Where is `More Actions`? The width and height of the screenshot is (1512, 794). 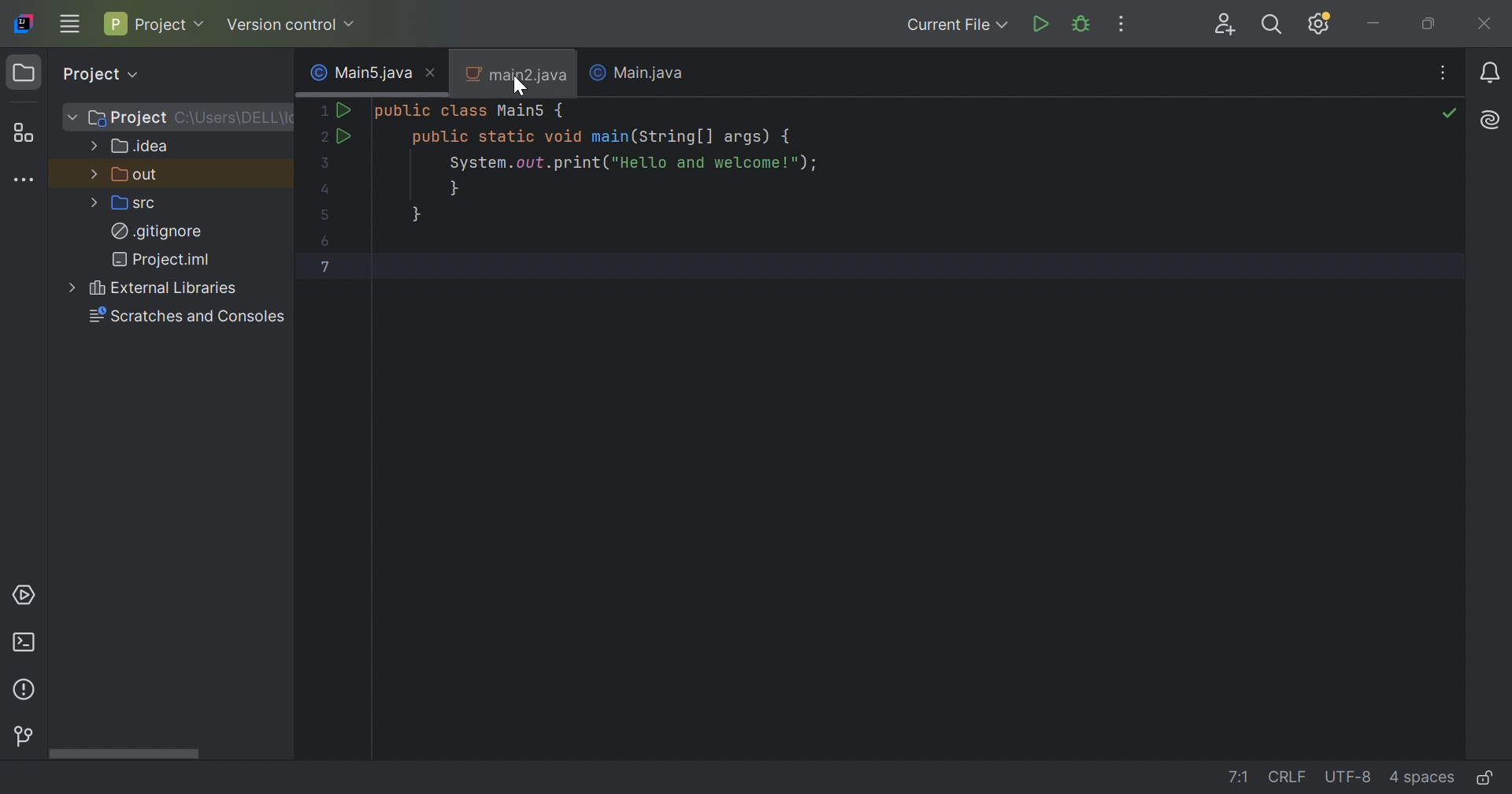 More Actions is located at coordinates (1121, 23).